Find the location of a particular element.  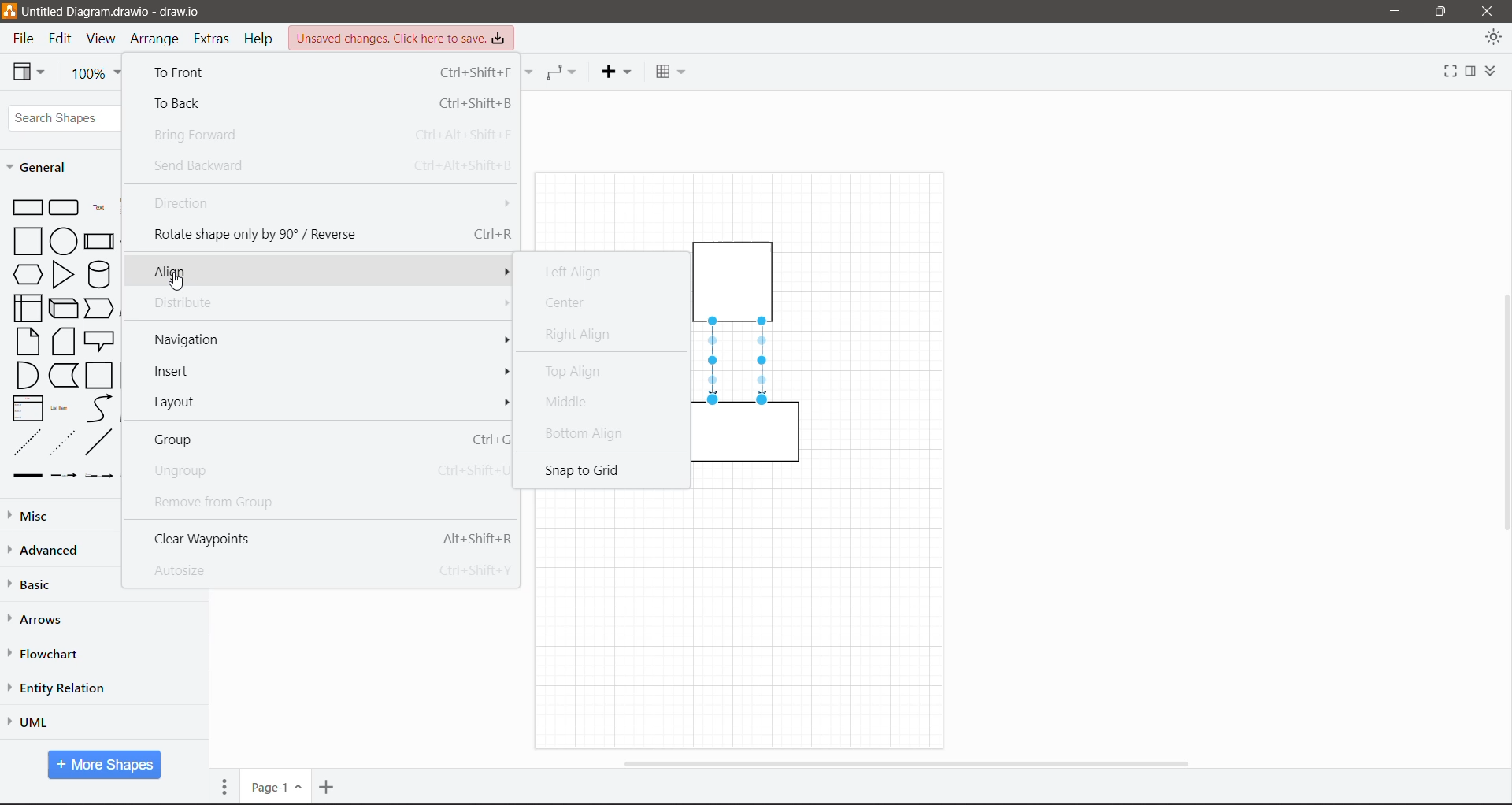

Expand/Collapse is located at coordinates (1495, 72).